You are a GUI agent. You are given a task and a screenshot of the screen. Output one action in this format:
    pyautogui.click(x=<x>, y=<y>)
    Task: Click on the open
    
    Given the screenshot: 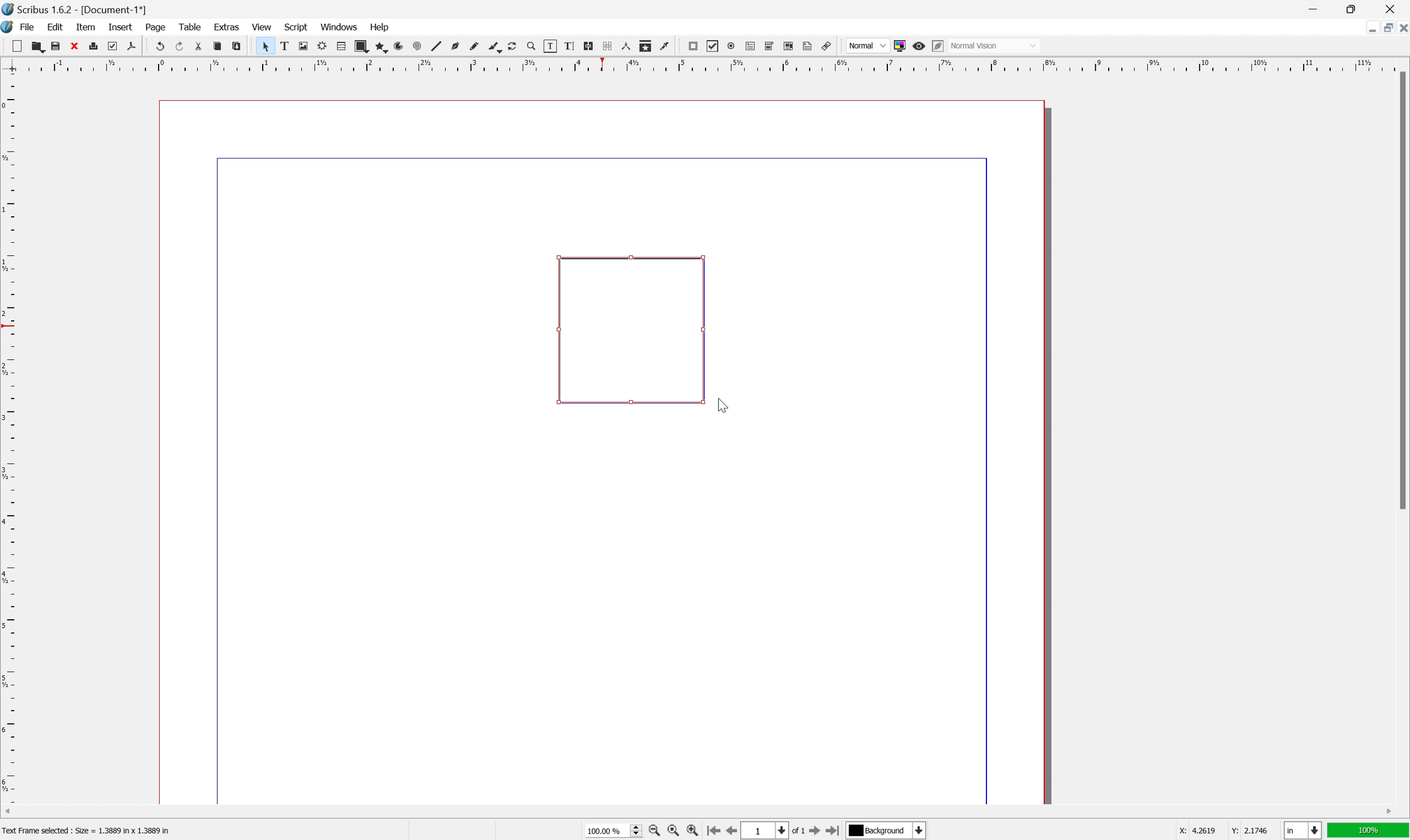 What is the action you would take?
    pyautogui.click(x=39, y=46)
    